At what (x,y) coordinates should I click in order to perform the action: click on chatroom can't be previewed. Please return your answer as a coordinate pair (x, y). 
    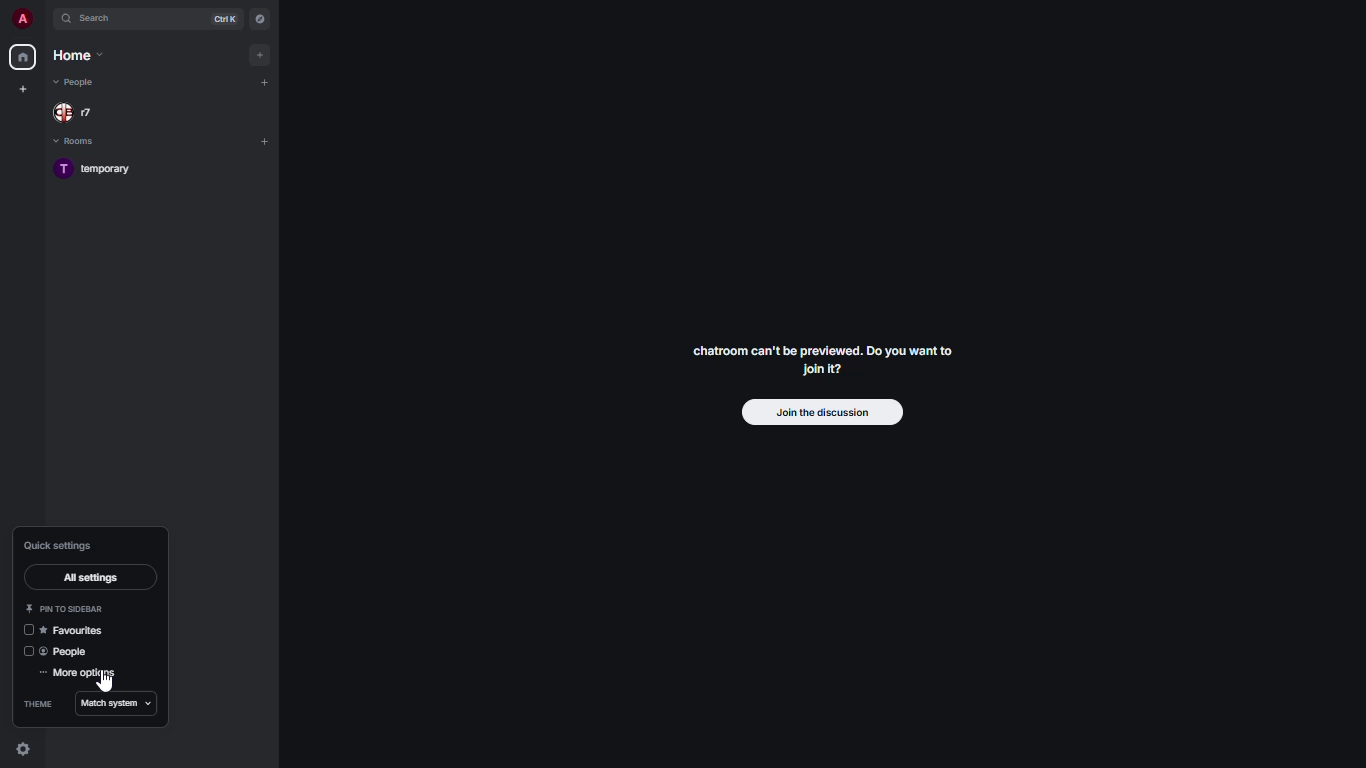
    Looking at the image, I should click on (819, 360).